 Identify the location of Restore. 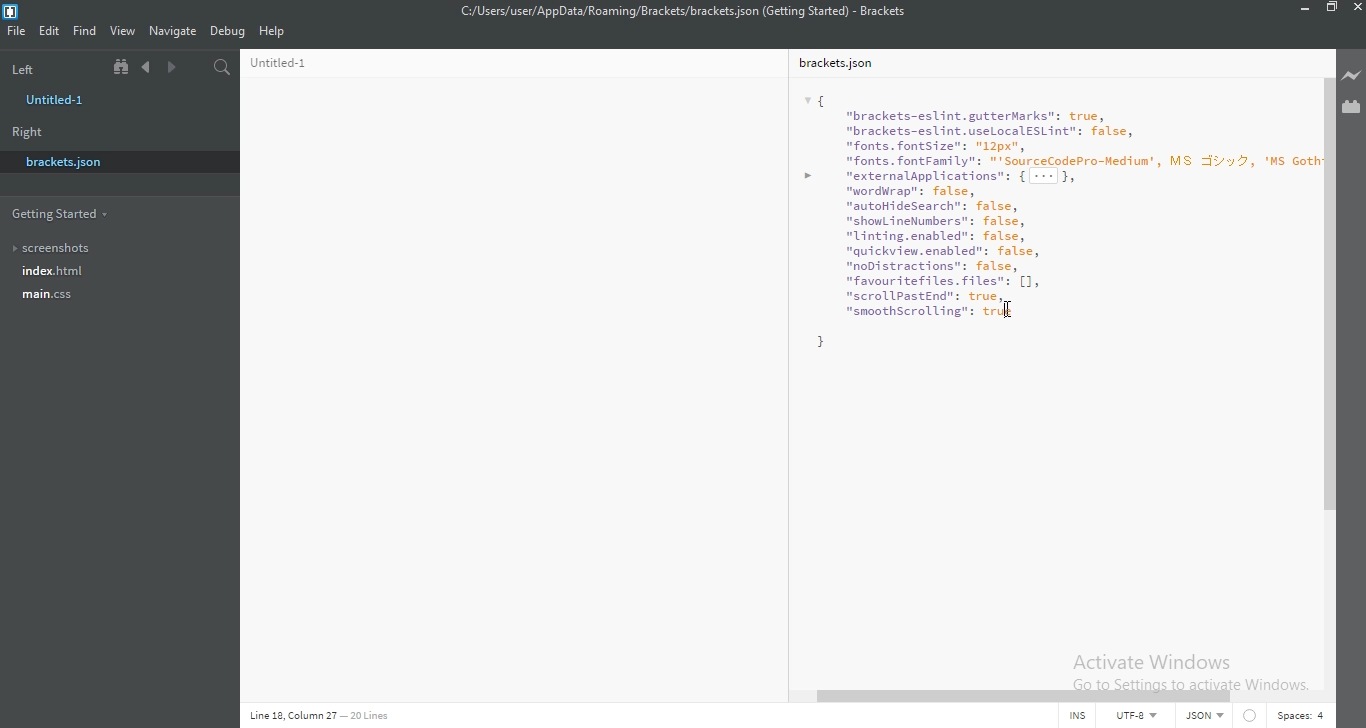
(1332, 9).